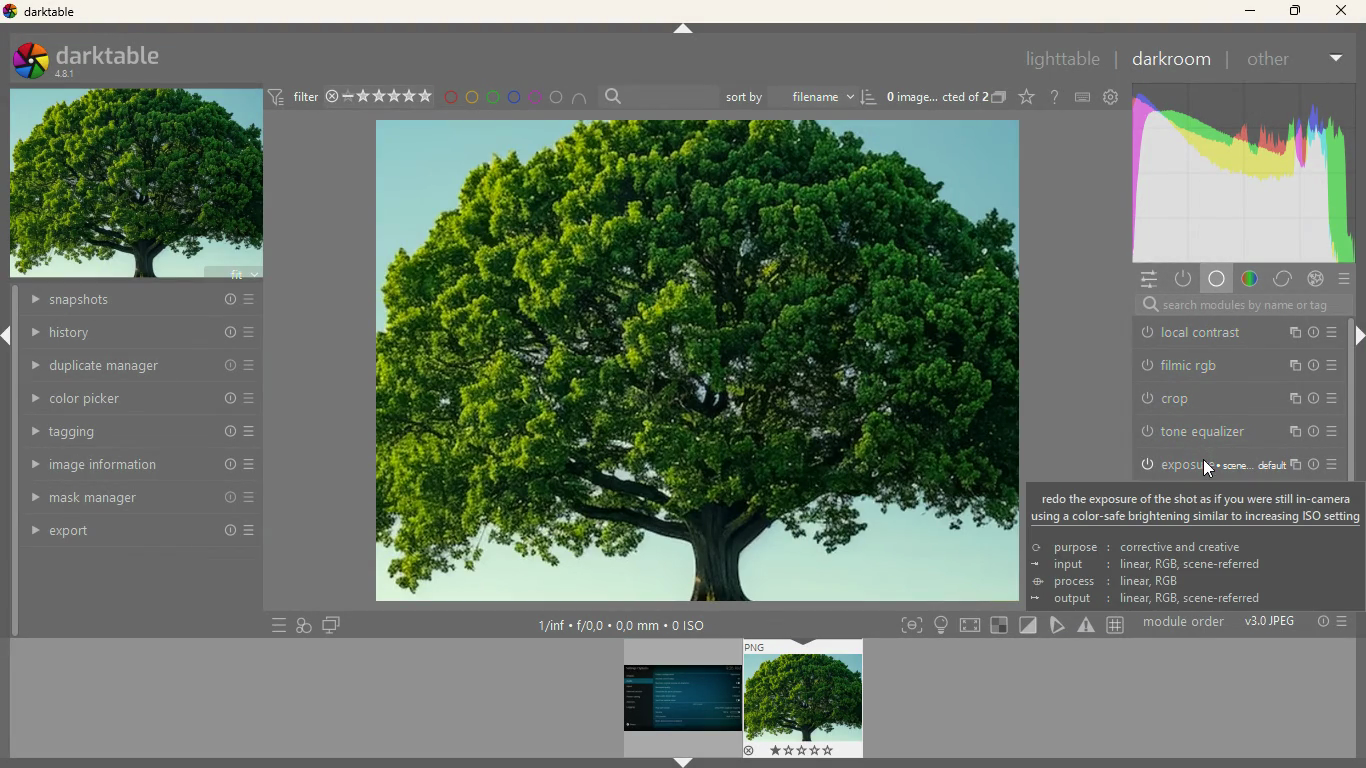  Describe the element at coordinates (137, 533) in the screenshot. I see `export` at that location.